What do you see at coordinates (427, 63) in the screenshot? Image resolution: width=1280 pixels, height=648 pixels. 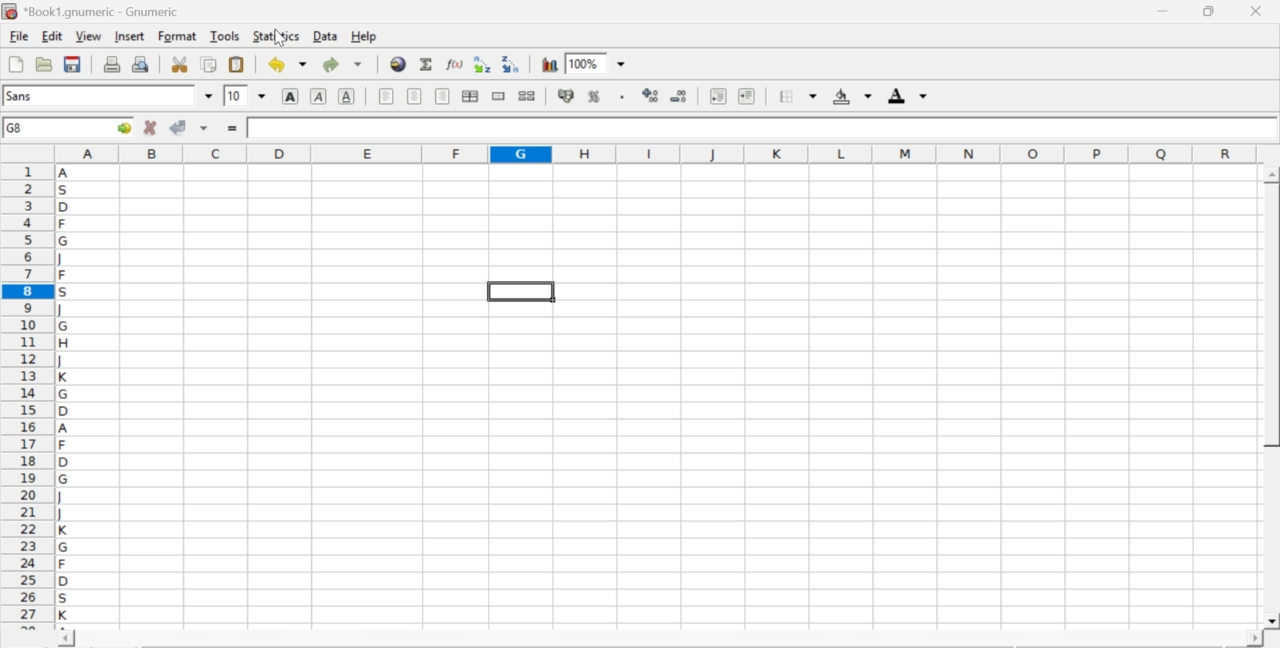 I see `sum in current cell` at bounding box center [427, 63].